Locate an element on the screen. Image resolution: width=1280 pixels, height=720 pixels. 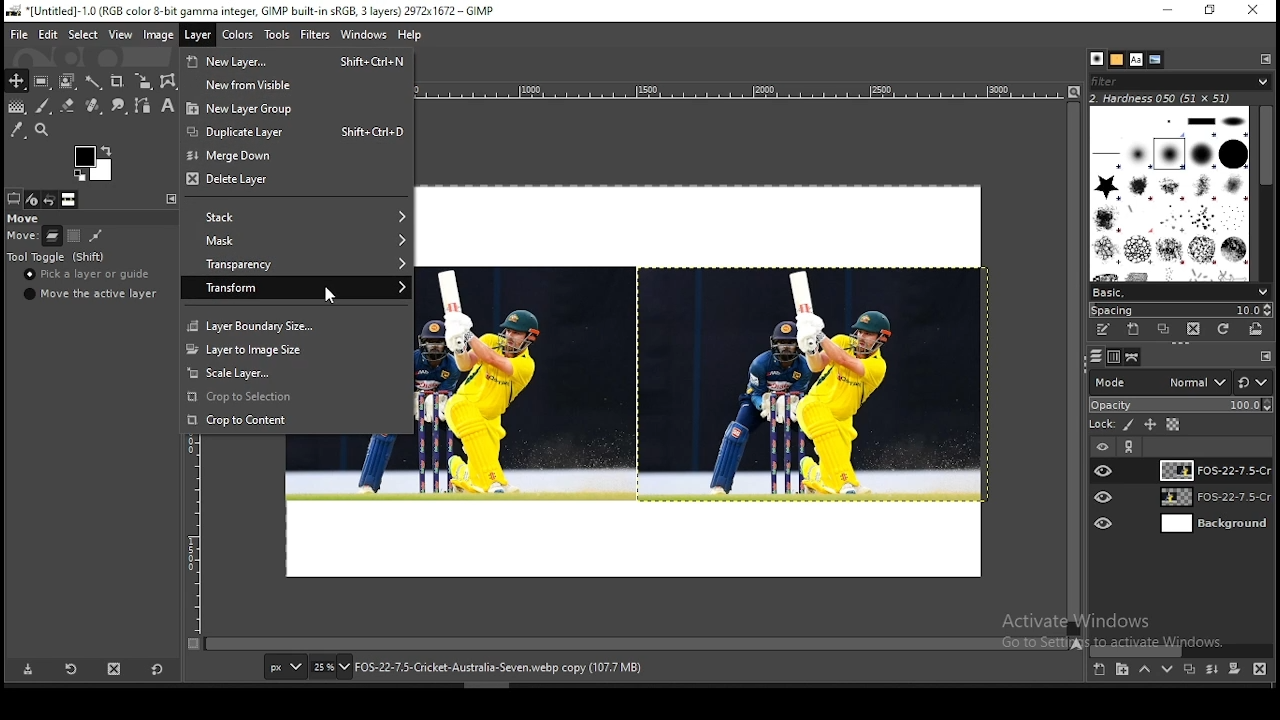
create a new brush is located at coordinates (1133, 329).